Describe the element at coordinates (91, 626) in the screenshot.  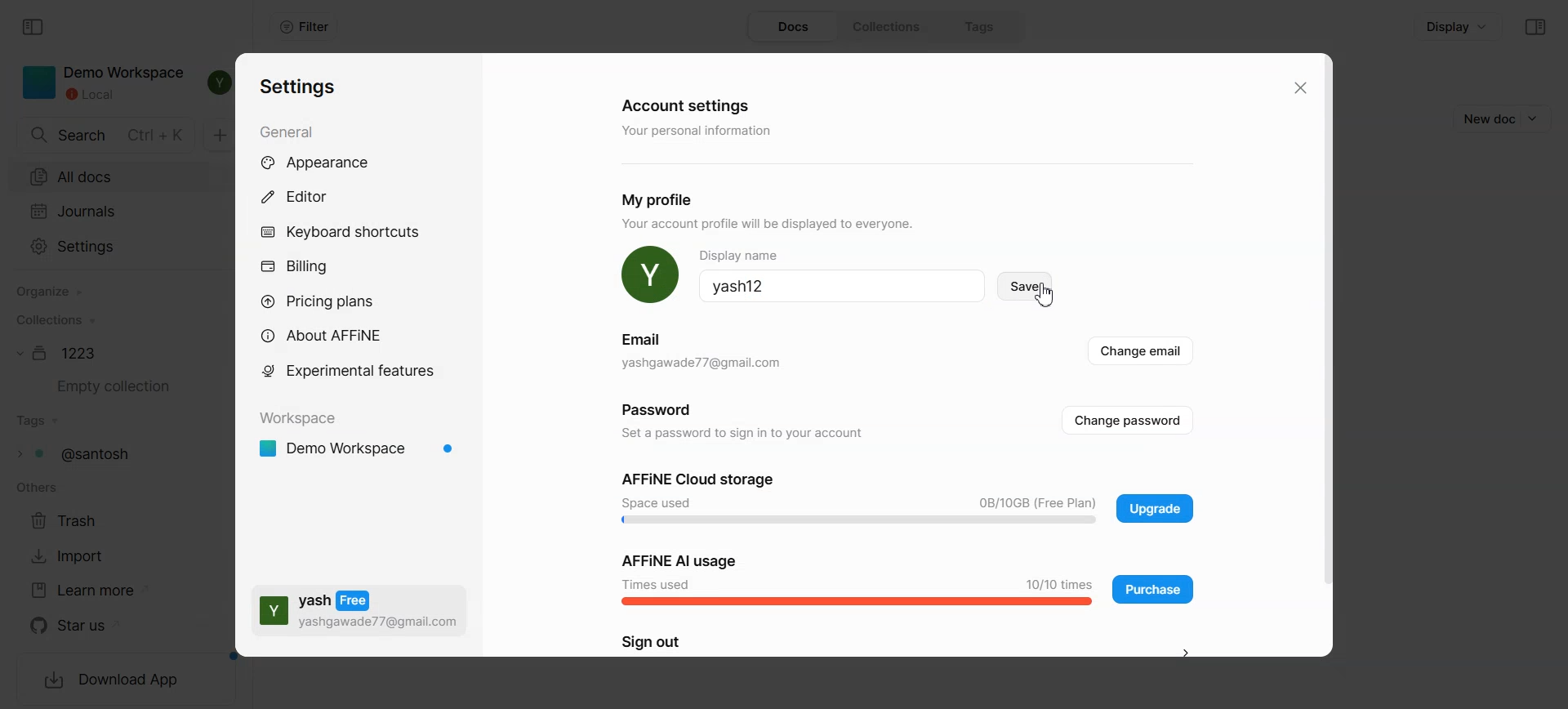
I see `Star us` at that location.